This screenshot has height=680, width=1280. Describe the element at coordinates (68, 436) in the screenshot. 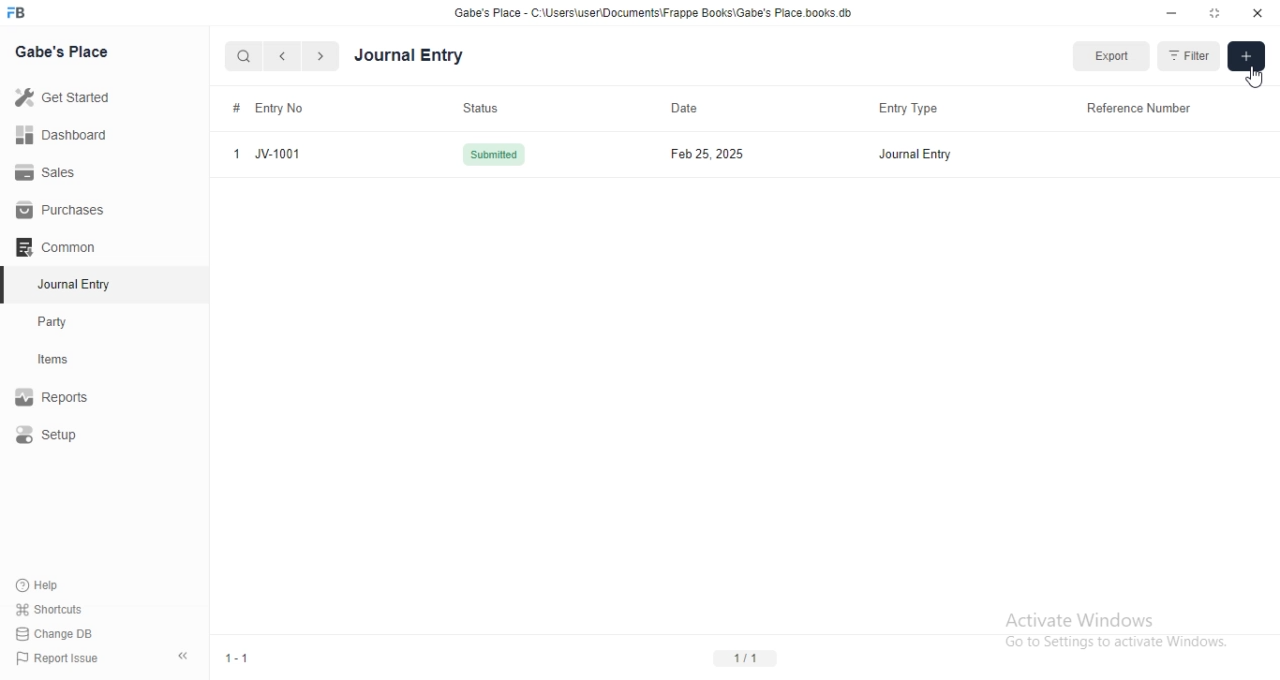

I see `Setup` at that location.